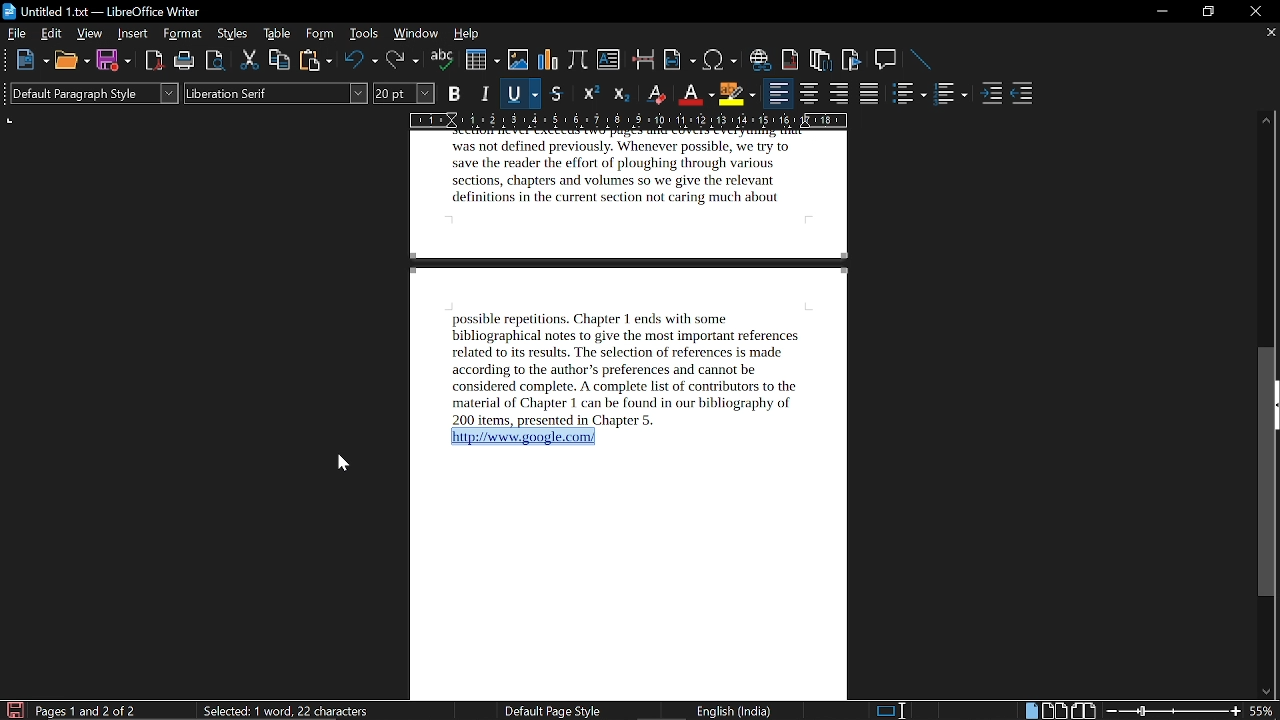 This screenshot has height=720, width=1280. What do you see at coordinates (466, 34) in the screenshot?
I see `help` at bounding box center [466, 34].